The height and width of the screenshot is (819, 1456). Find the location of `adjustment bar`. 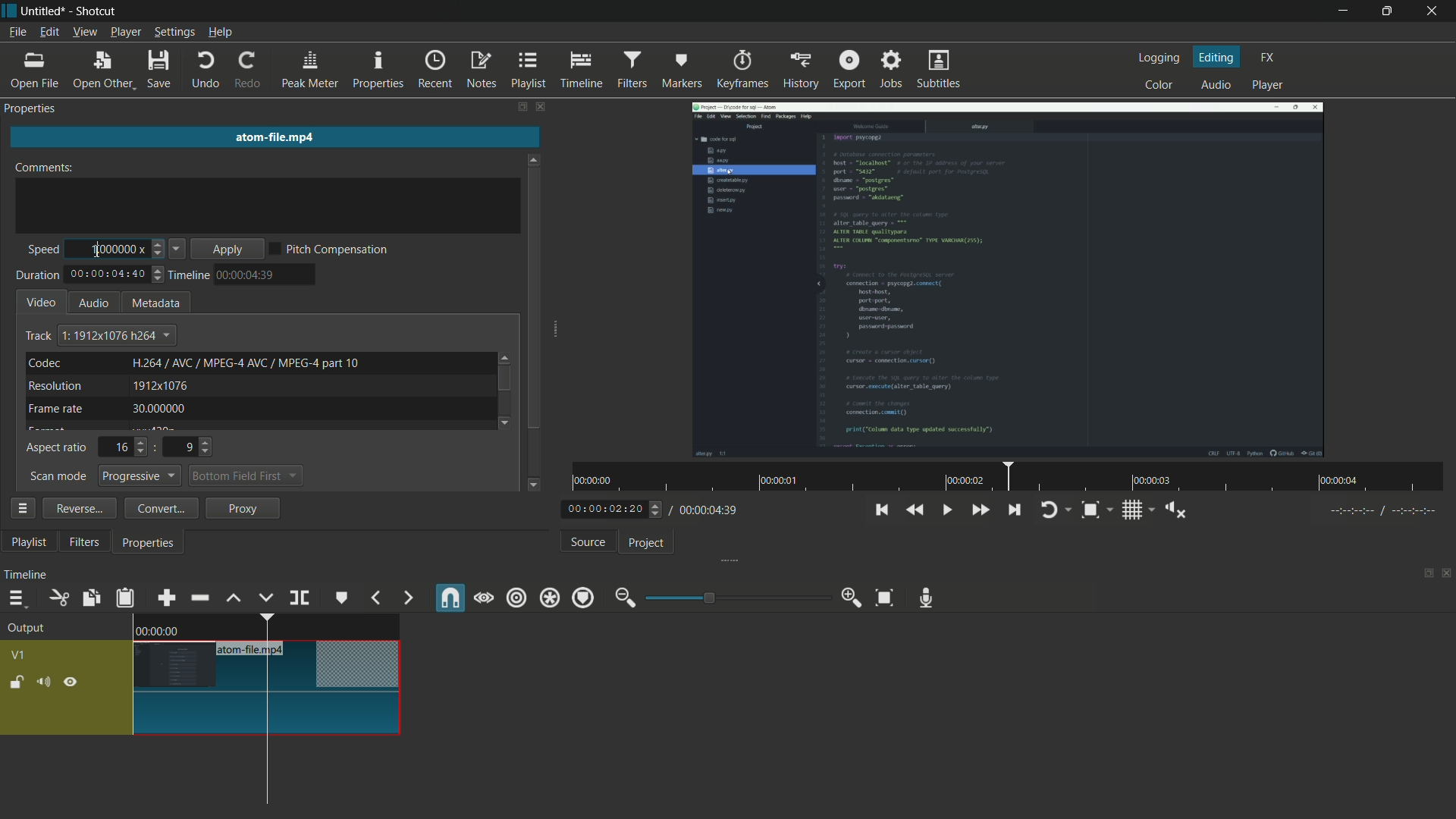

adjustment bar is located at coordinates (736, 596).